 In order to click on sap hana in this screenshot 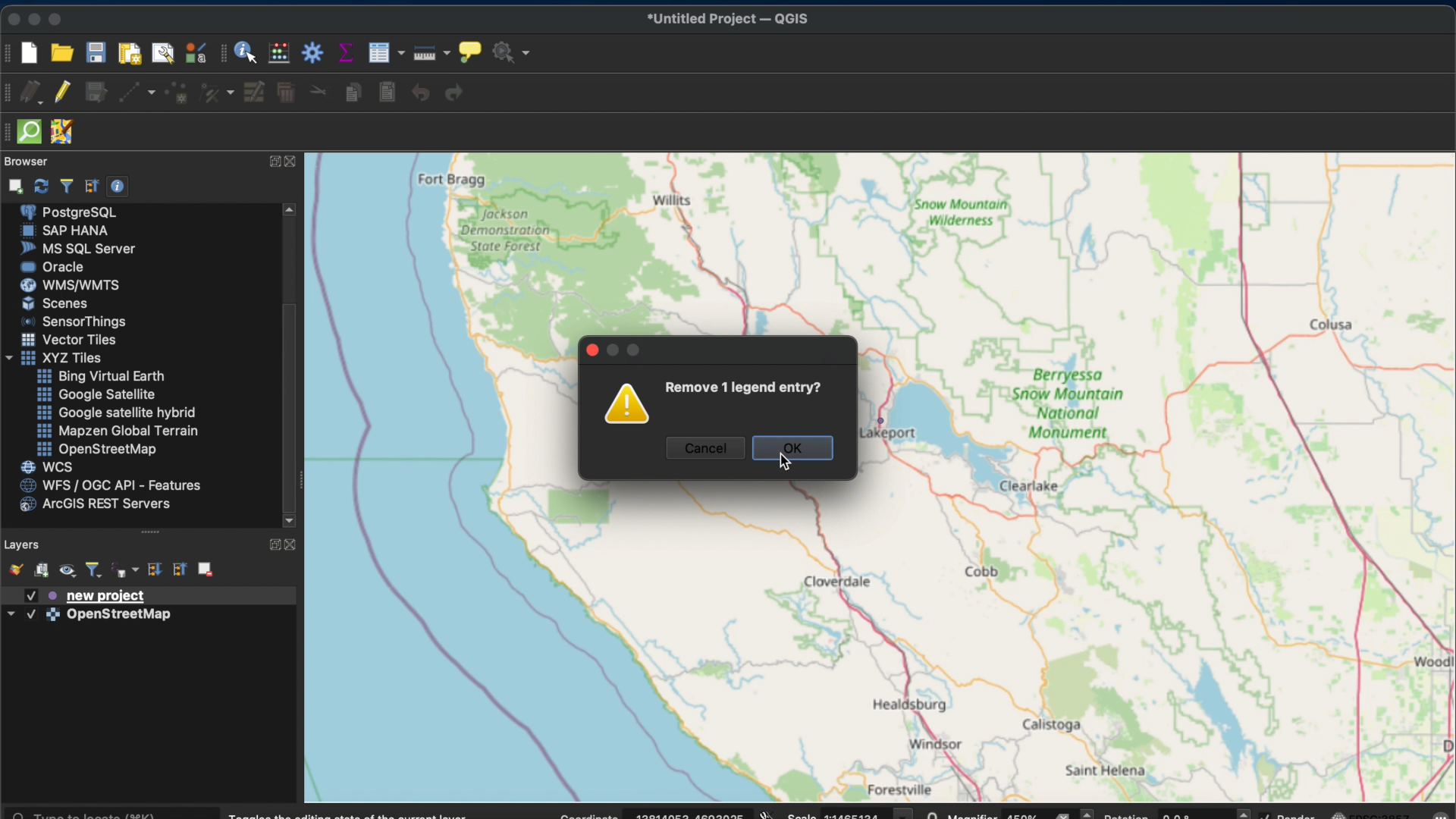, I will do `click(65, 231)`.